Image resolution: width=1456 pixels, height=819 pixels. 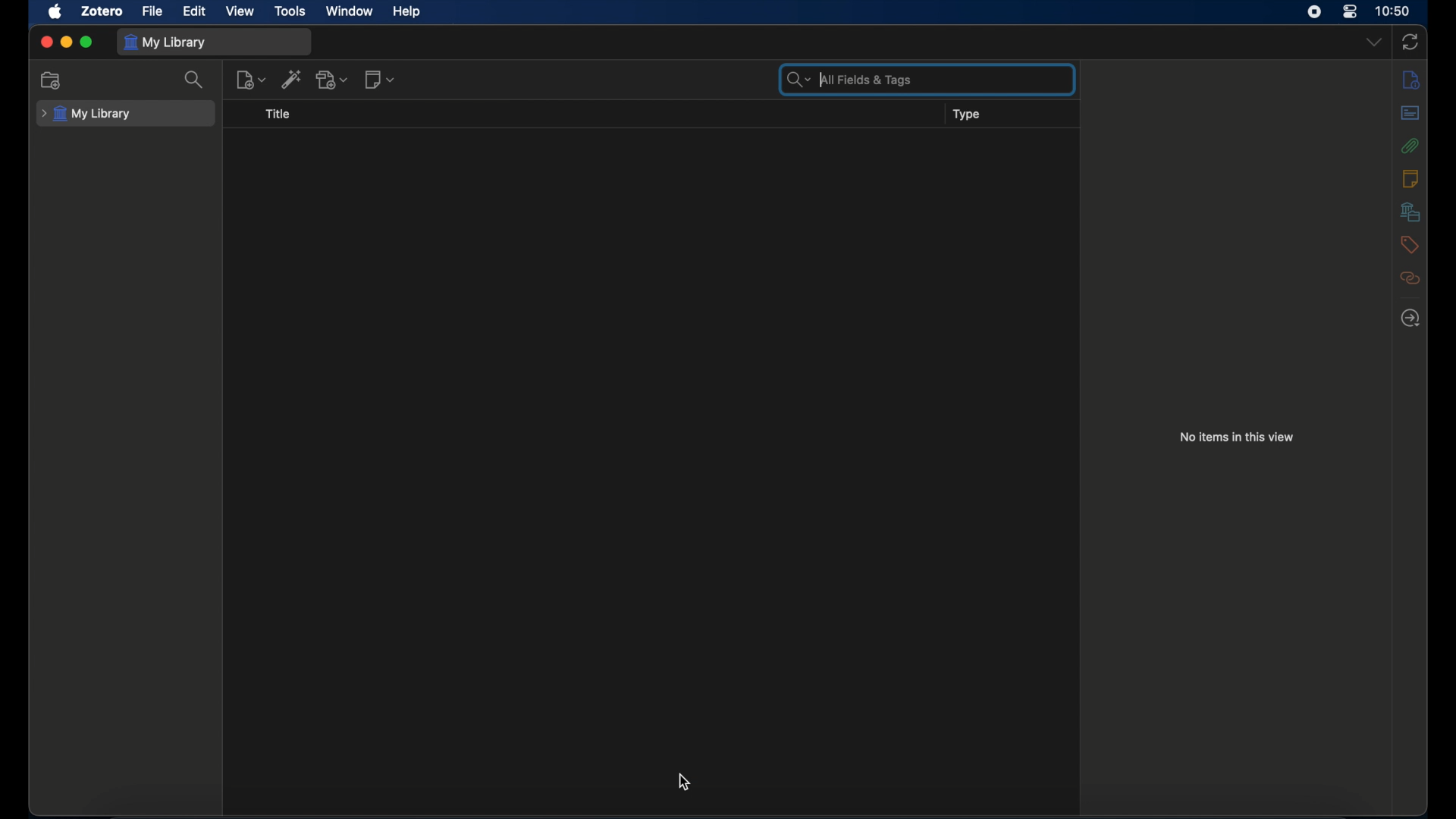 What do you see at coordinates (52, 80) in the screenshot?
I see `new collection` at bounding box center [52, 80].